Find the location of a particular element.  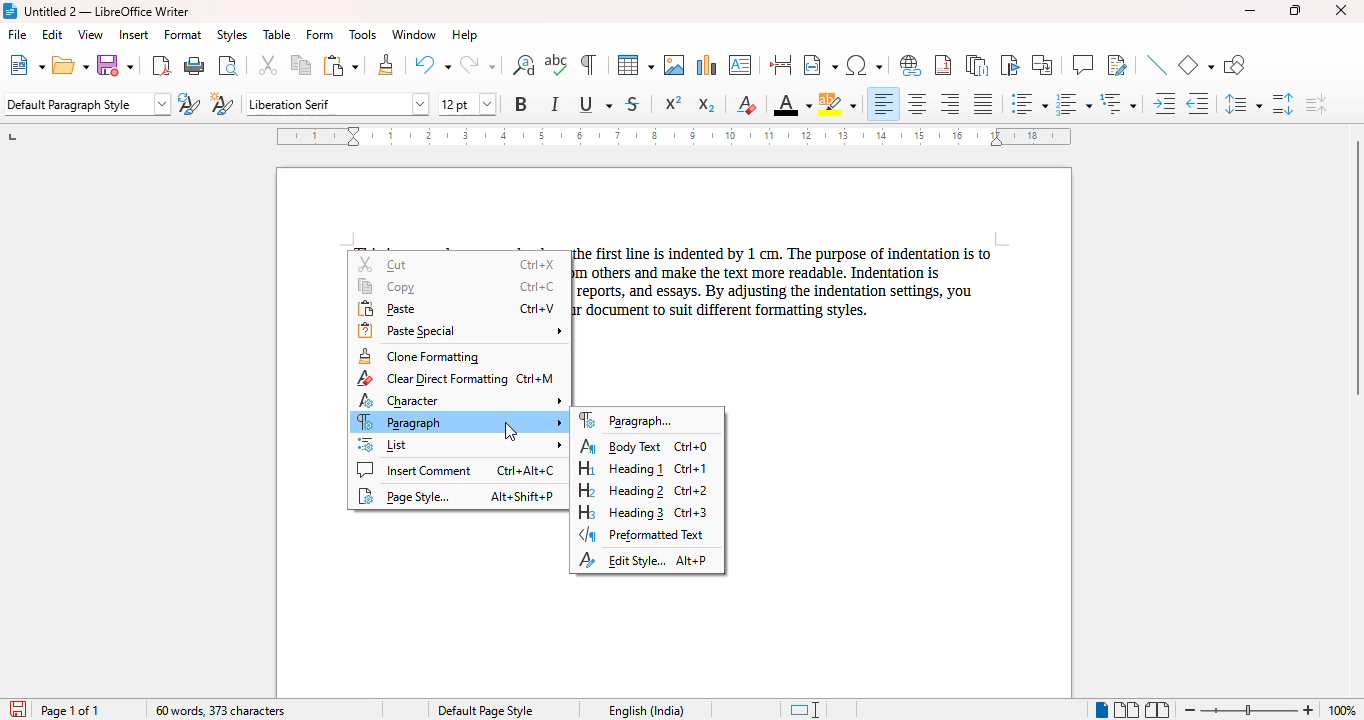

show track changes functions is located at coordinates (1117, 65).